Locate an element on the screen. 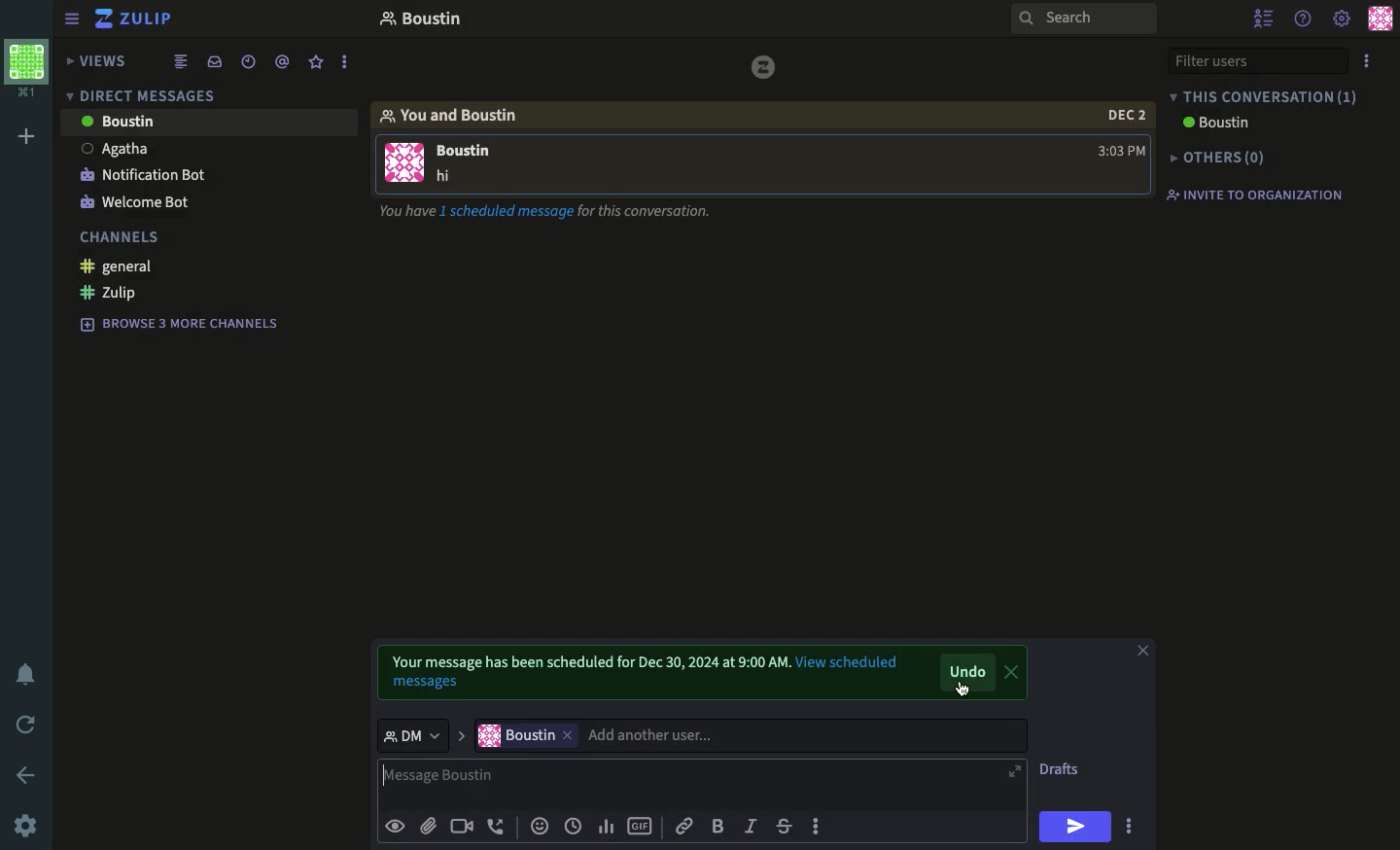 The image size is (1400, 850). link is located at coordinates (686, 825).